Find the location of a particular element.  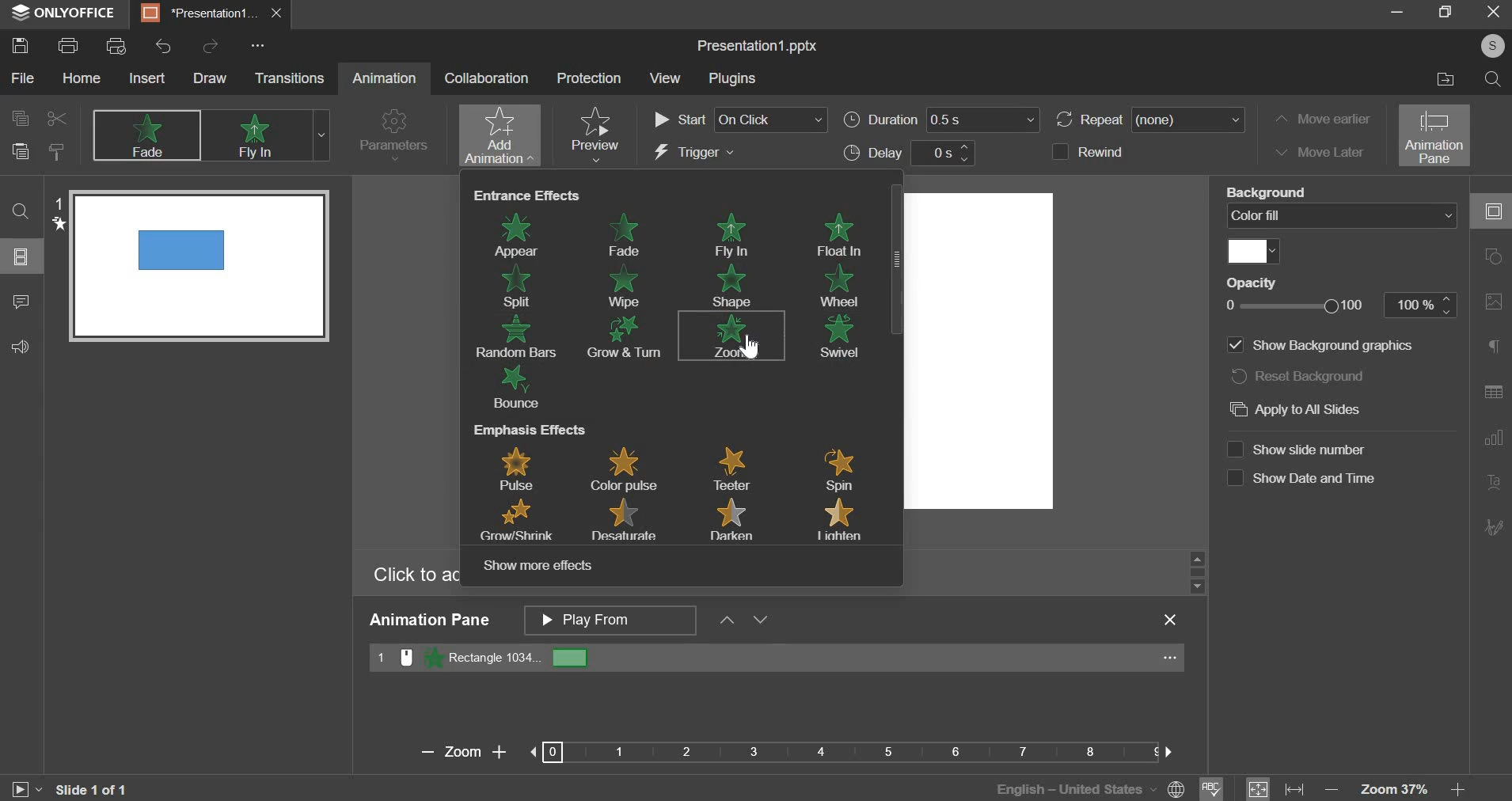

Options is located at coordinates (255, 45).